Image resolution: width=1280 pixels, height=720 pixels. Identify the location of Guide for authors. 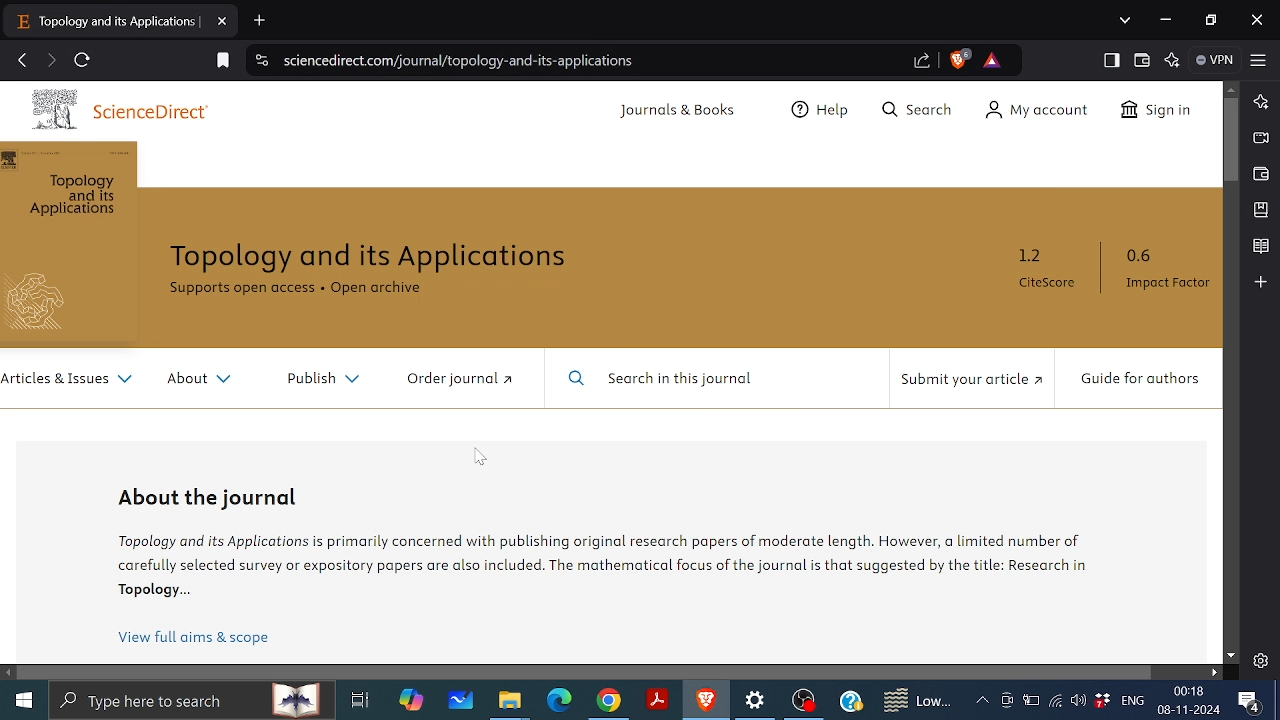
(1147, 382).